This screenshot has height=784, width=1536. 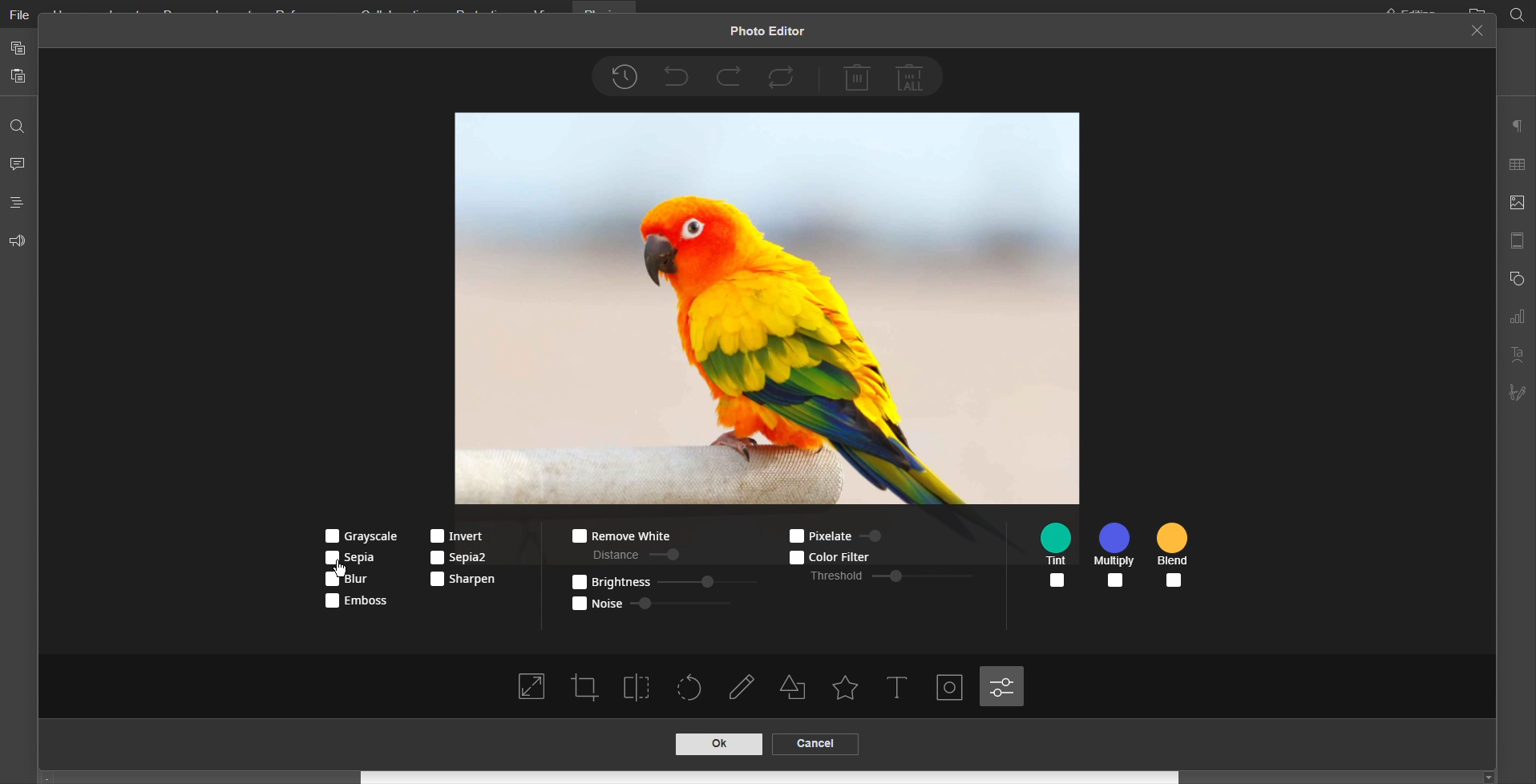 What do you see at coordinates (1516, 240) in the screenshot?
I see `Header Footer` at bounding box center [1516, 240].